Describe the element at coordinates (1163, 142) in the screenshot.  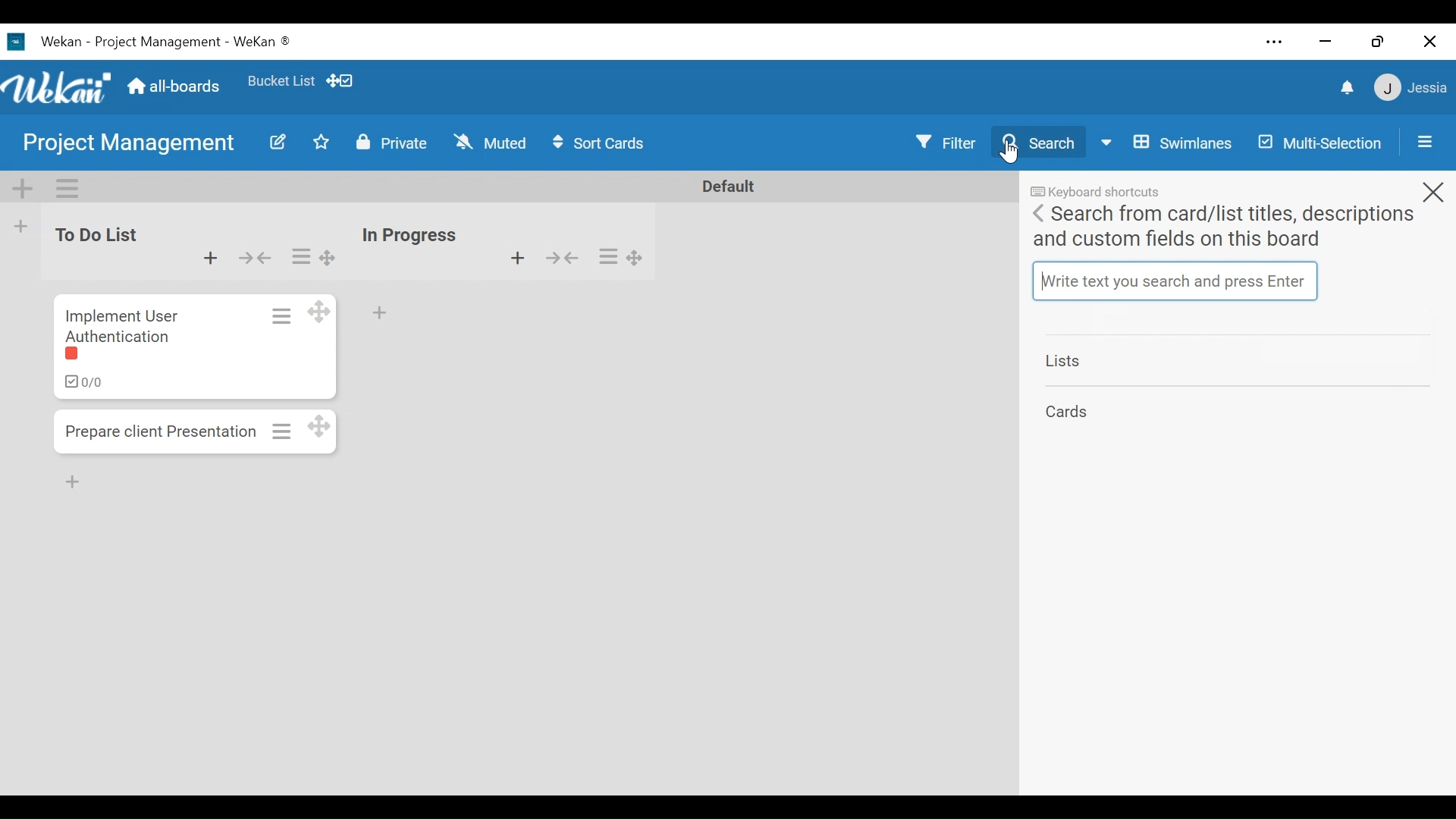
I see `Board View` at that location.